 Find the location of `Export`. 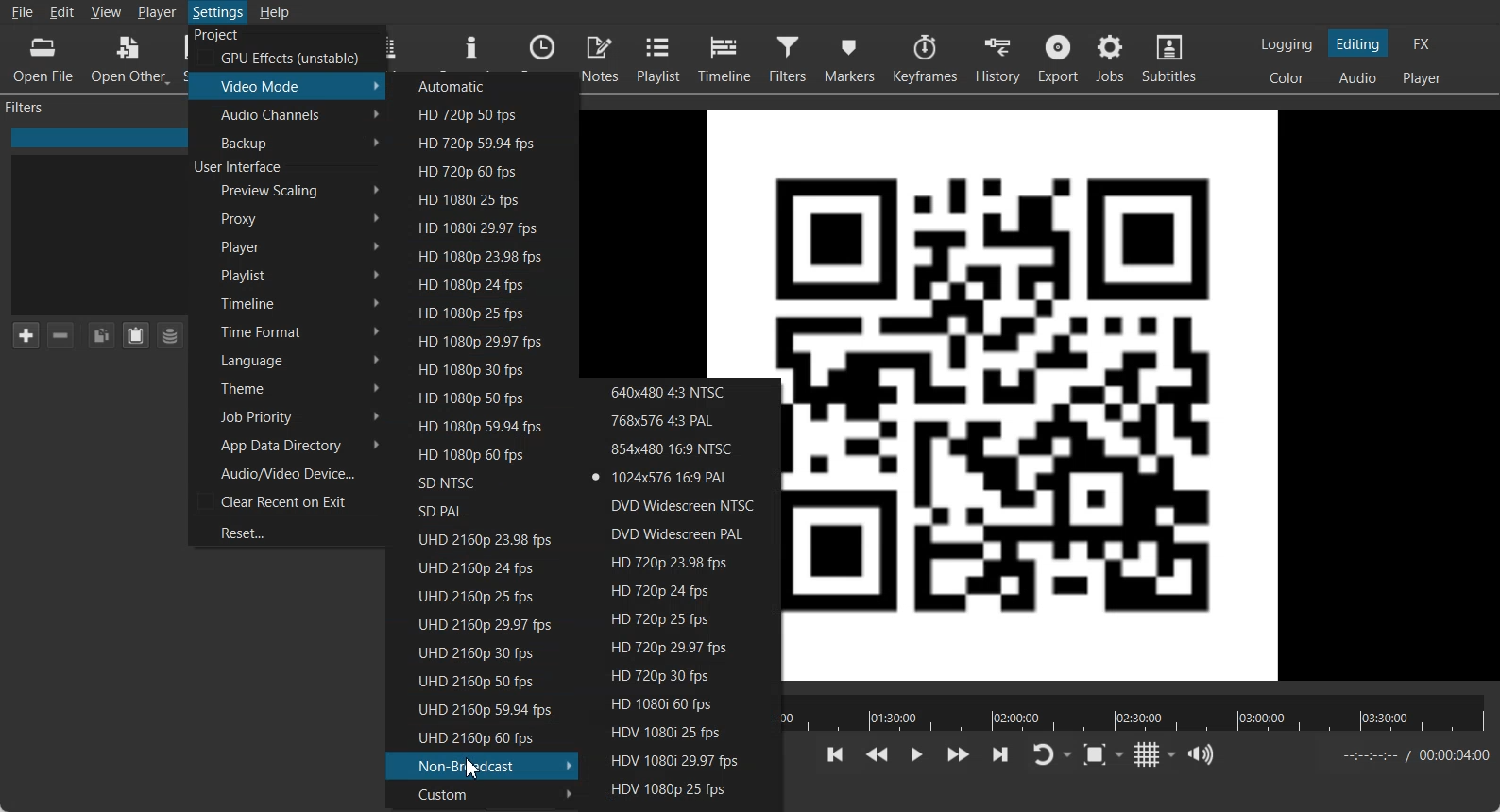

Export is located at coordinates (1058, 59).